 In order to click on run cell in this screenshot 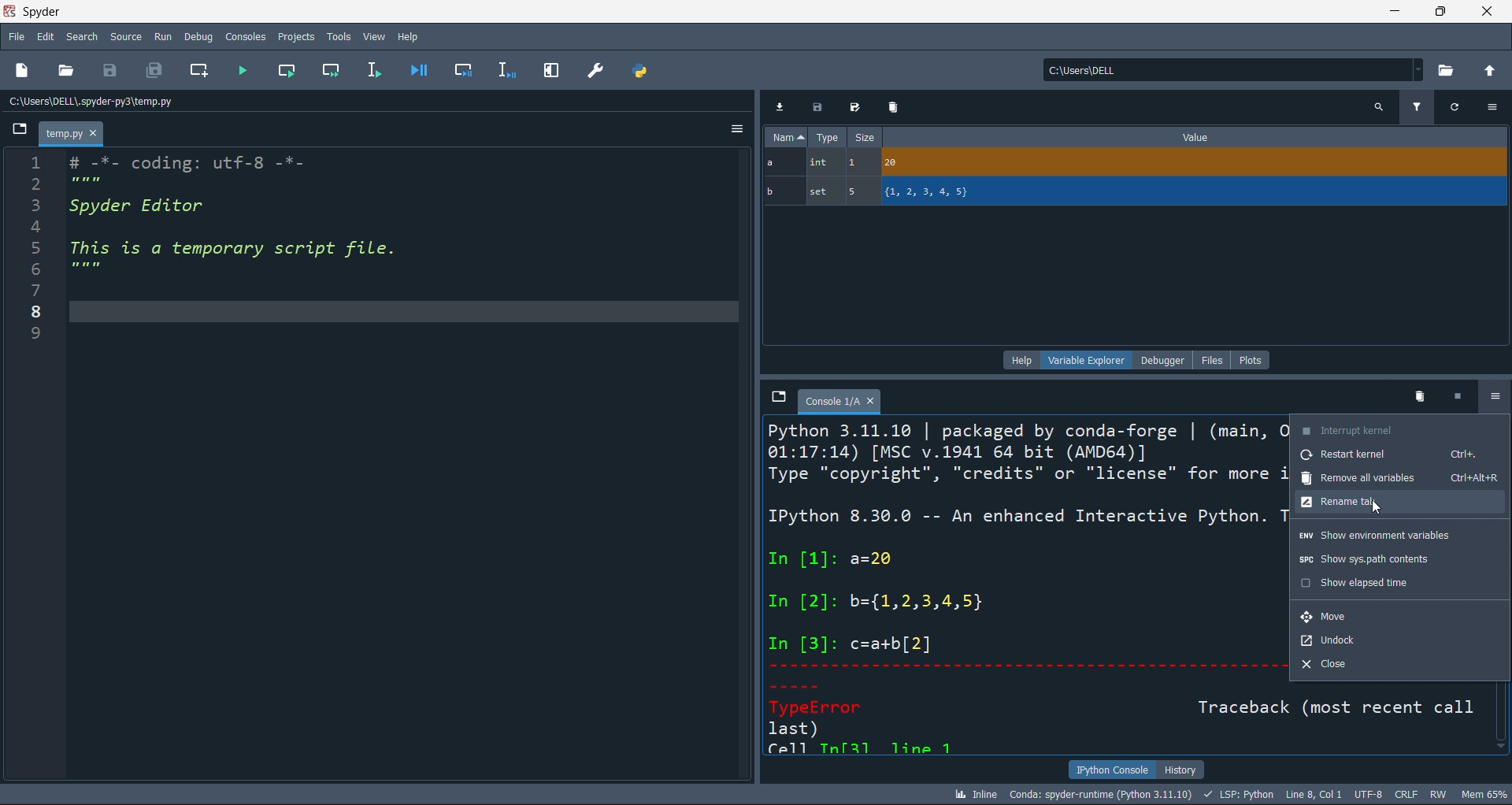, I will do `click(293, 72)`.